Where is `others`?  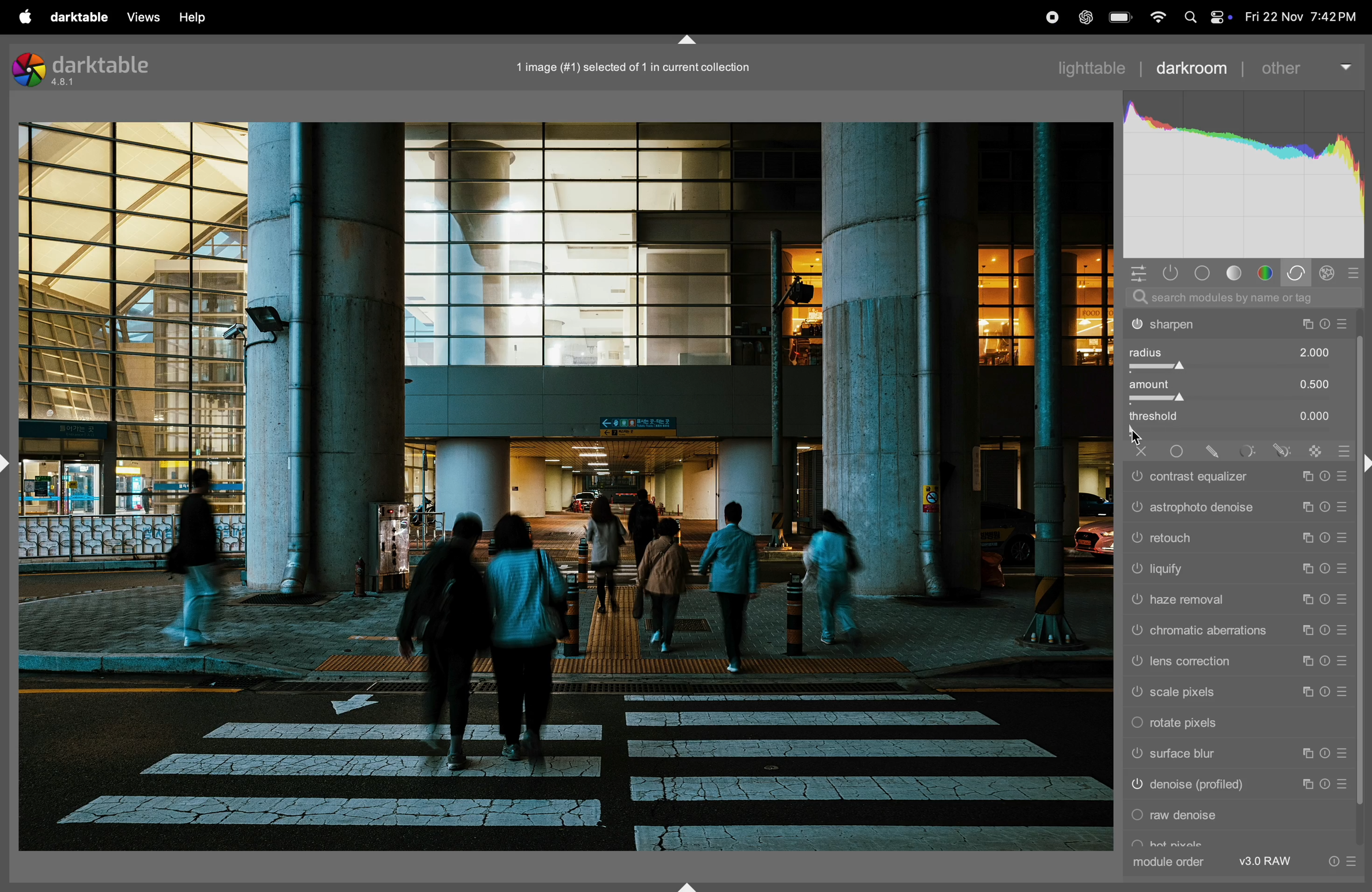 others is located at coordinates (1305, 67).